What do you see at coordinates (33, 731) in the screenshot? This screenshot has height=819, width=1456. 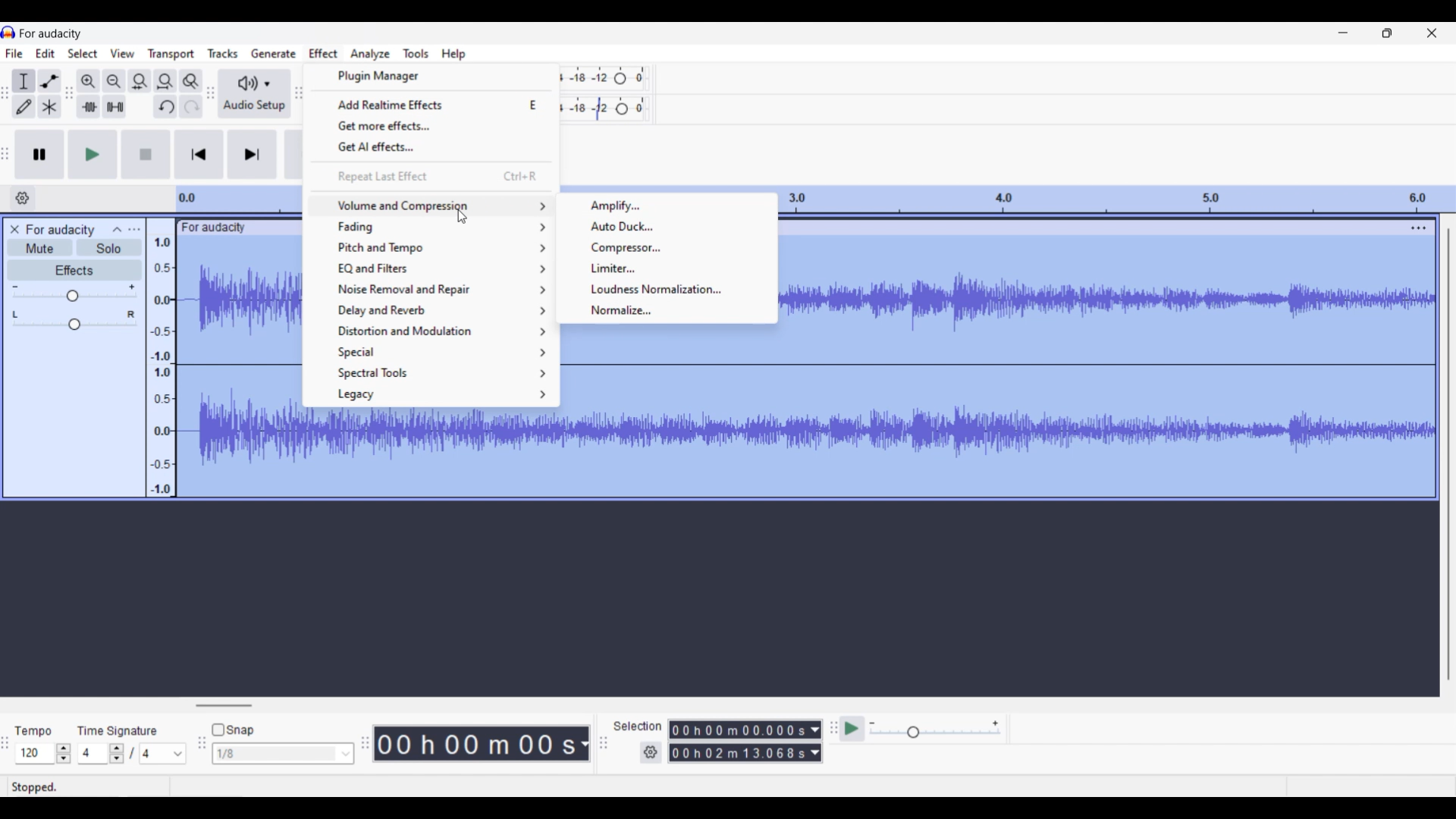 I see `tempo` at bounding box center [33, 731].